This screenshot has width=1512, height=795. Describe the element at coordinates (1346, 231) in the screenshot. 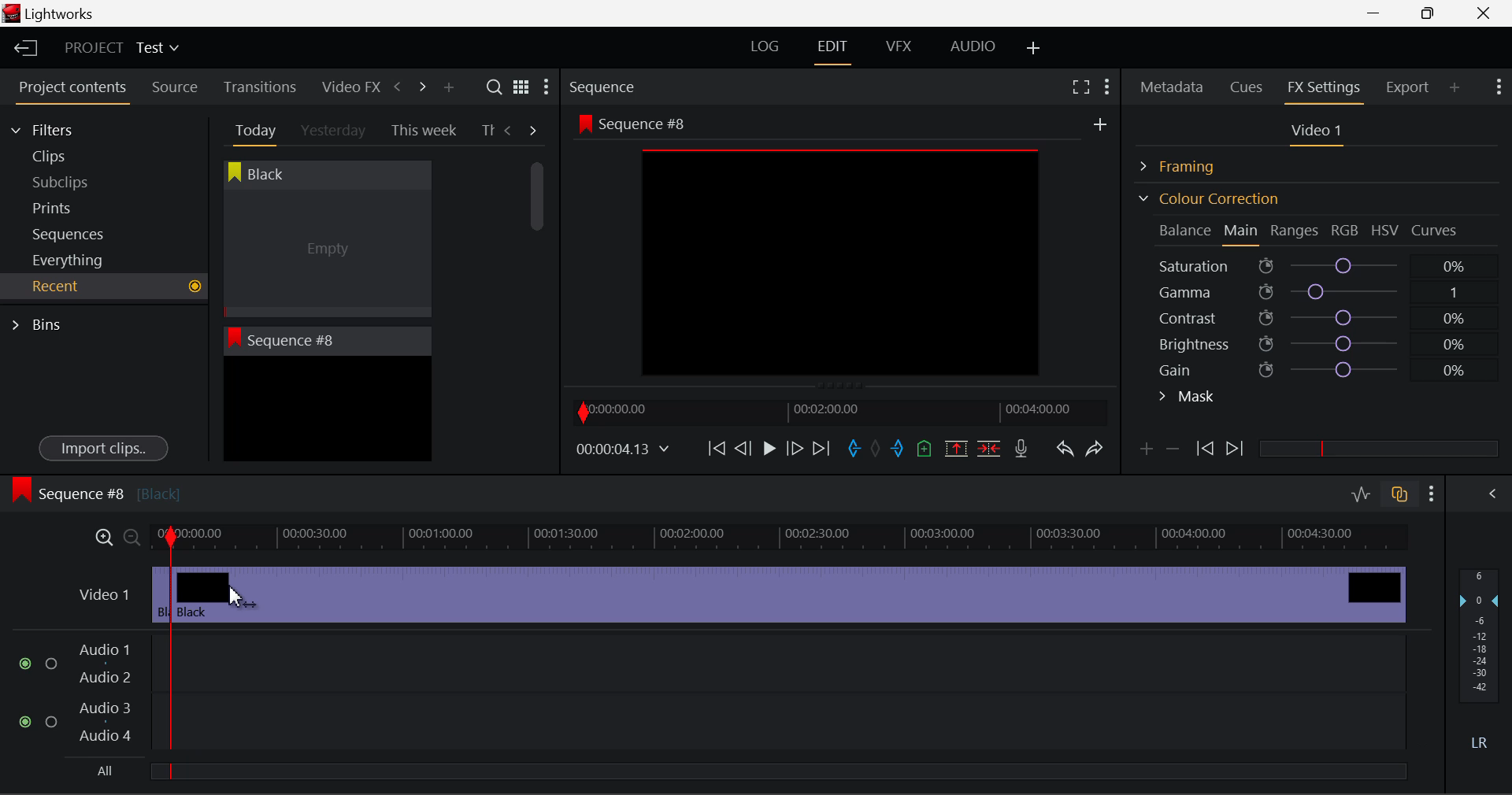

I see `RGB` at that location.